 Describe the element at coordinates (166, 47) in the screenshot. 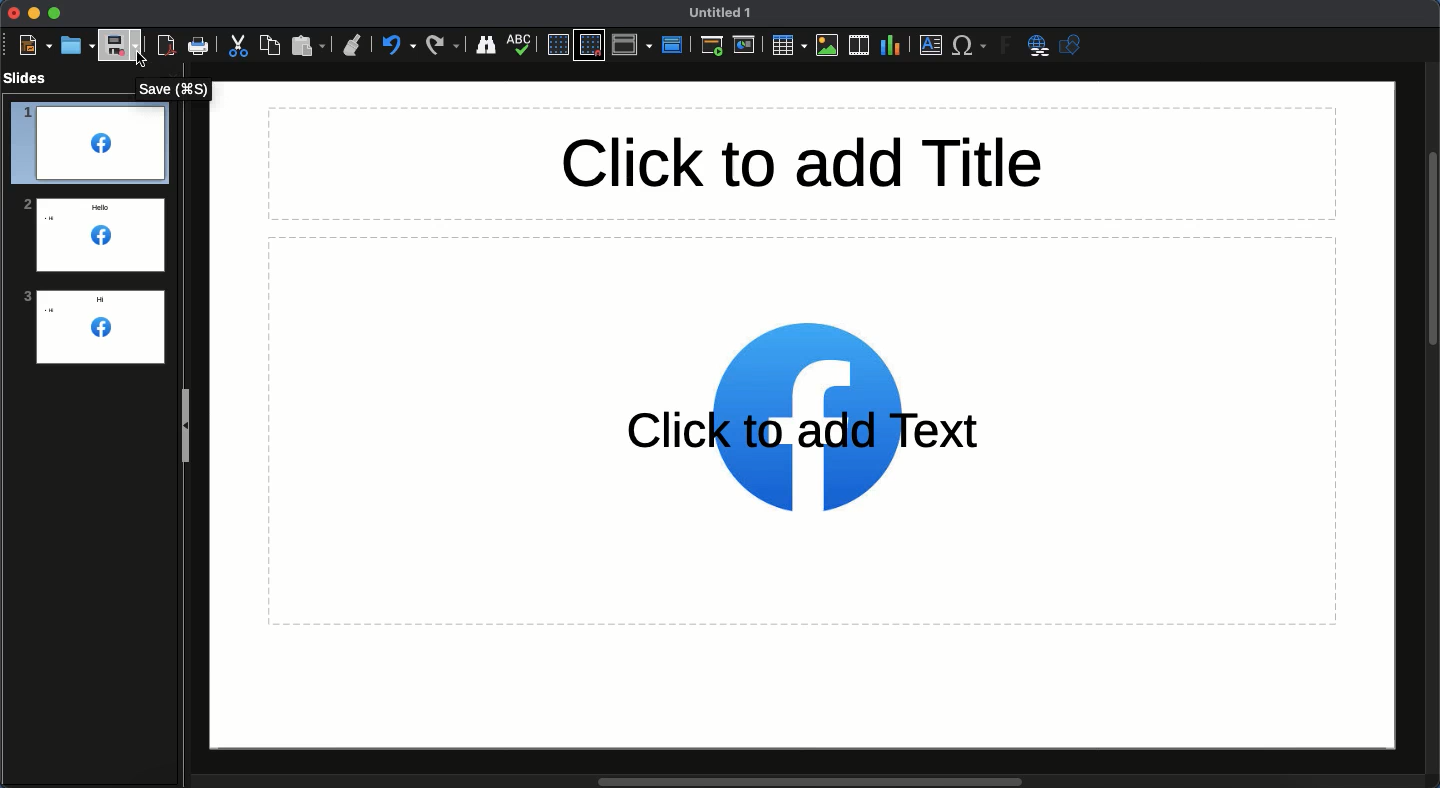

I see `Export as PDF` at that location.